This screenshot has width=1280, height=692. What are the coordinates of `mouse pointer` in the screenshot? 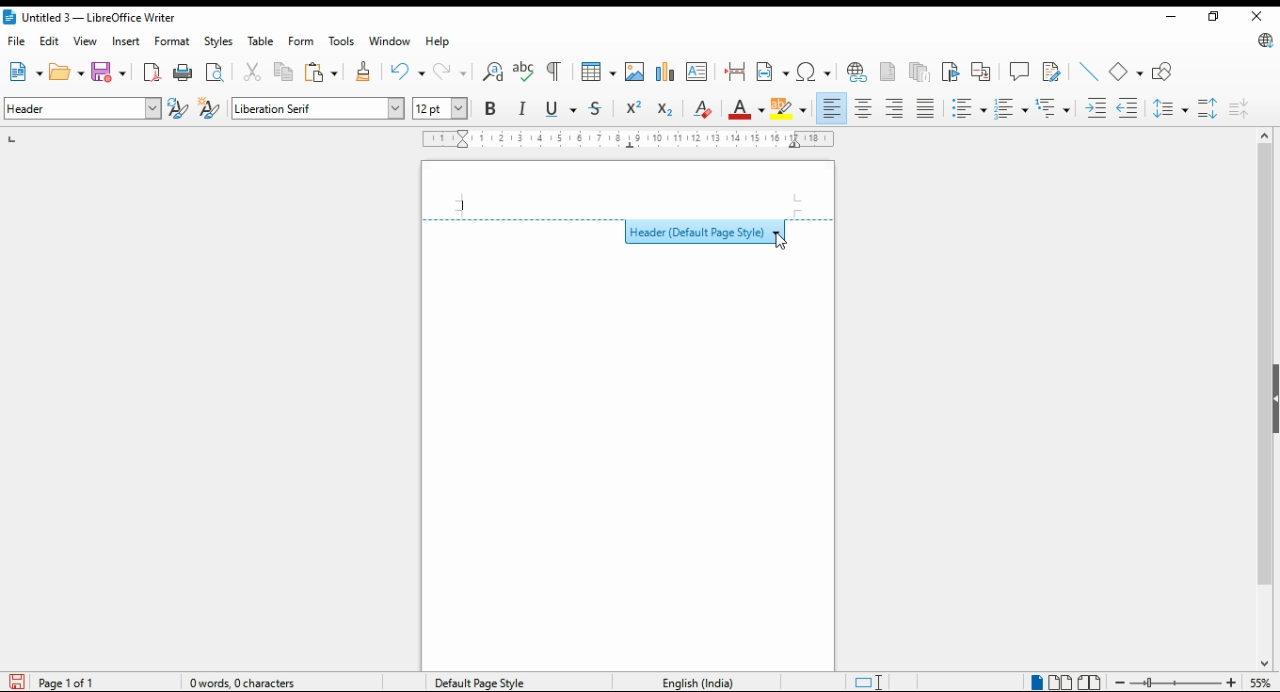 It's located at (780, 243).